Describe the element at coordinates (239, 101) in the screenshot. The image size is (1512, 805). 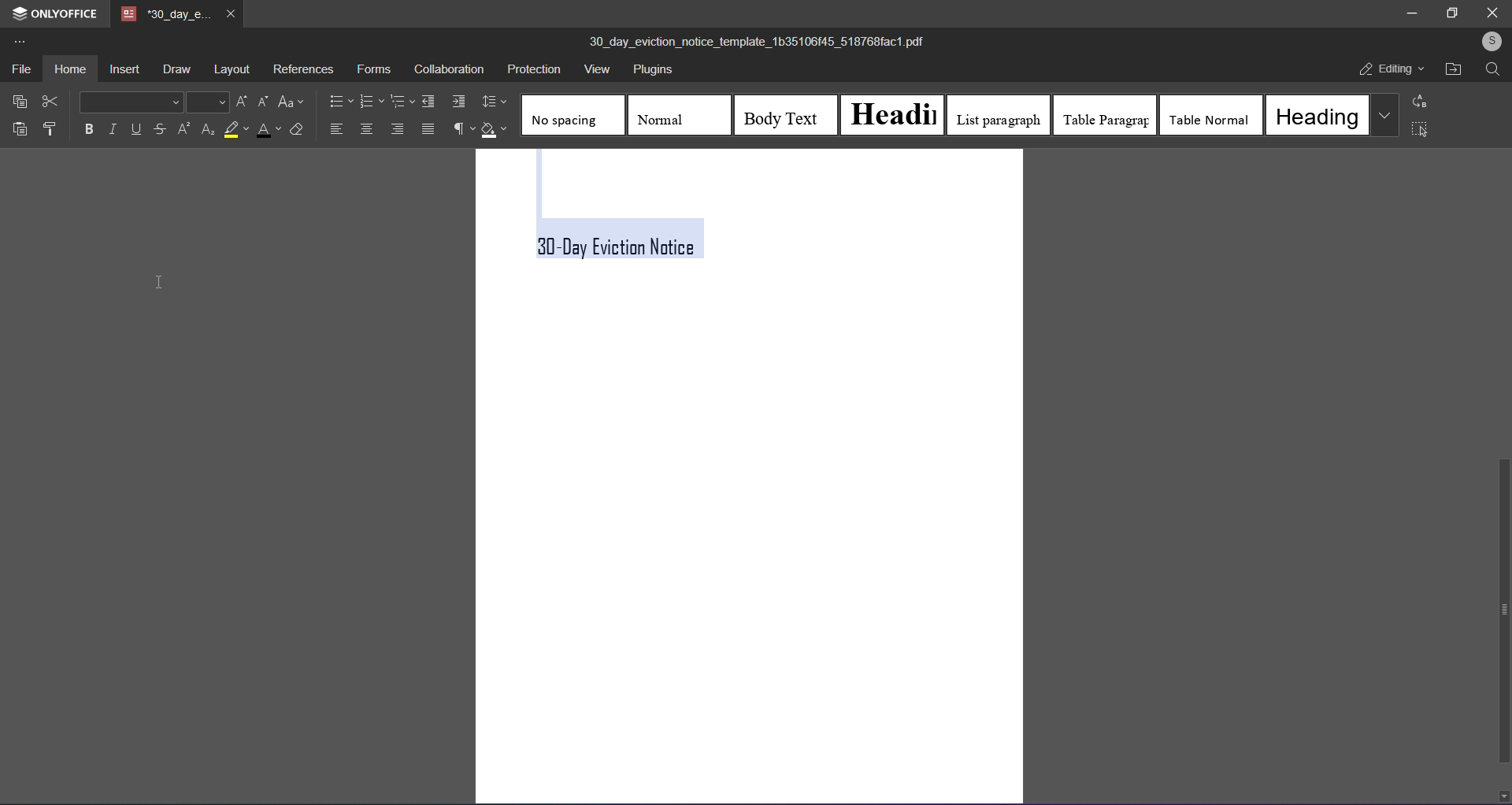
I see `increase font size` at that location.